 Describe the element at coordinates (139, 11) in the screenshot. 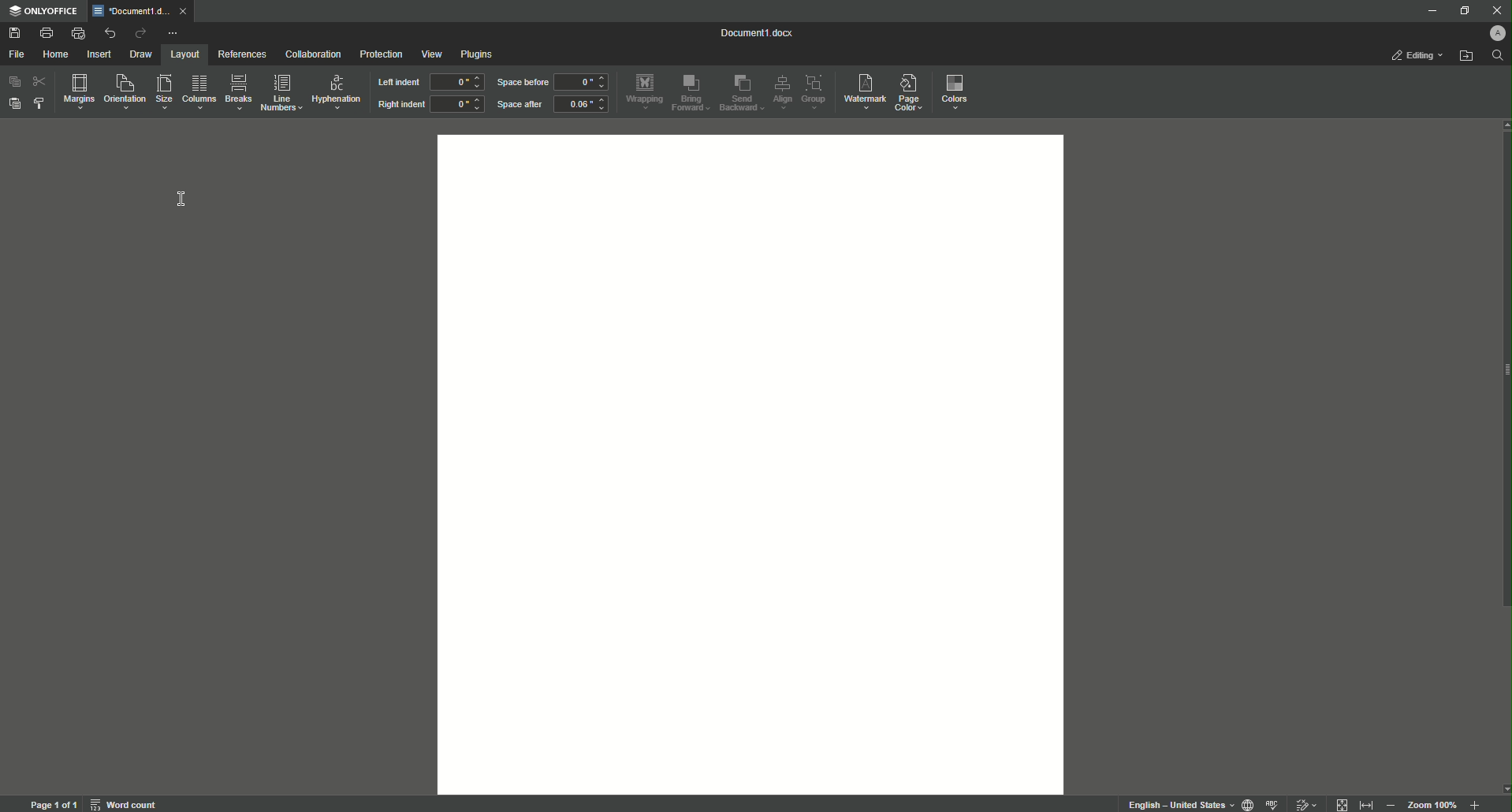

I see `Tab 1` at that location.